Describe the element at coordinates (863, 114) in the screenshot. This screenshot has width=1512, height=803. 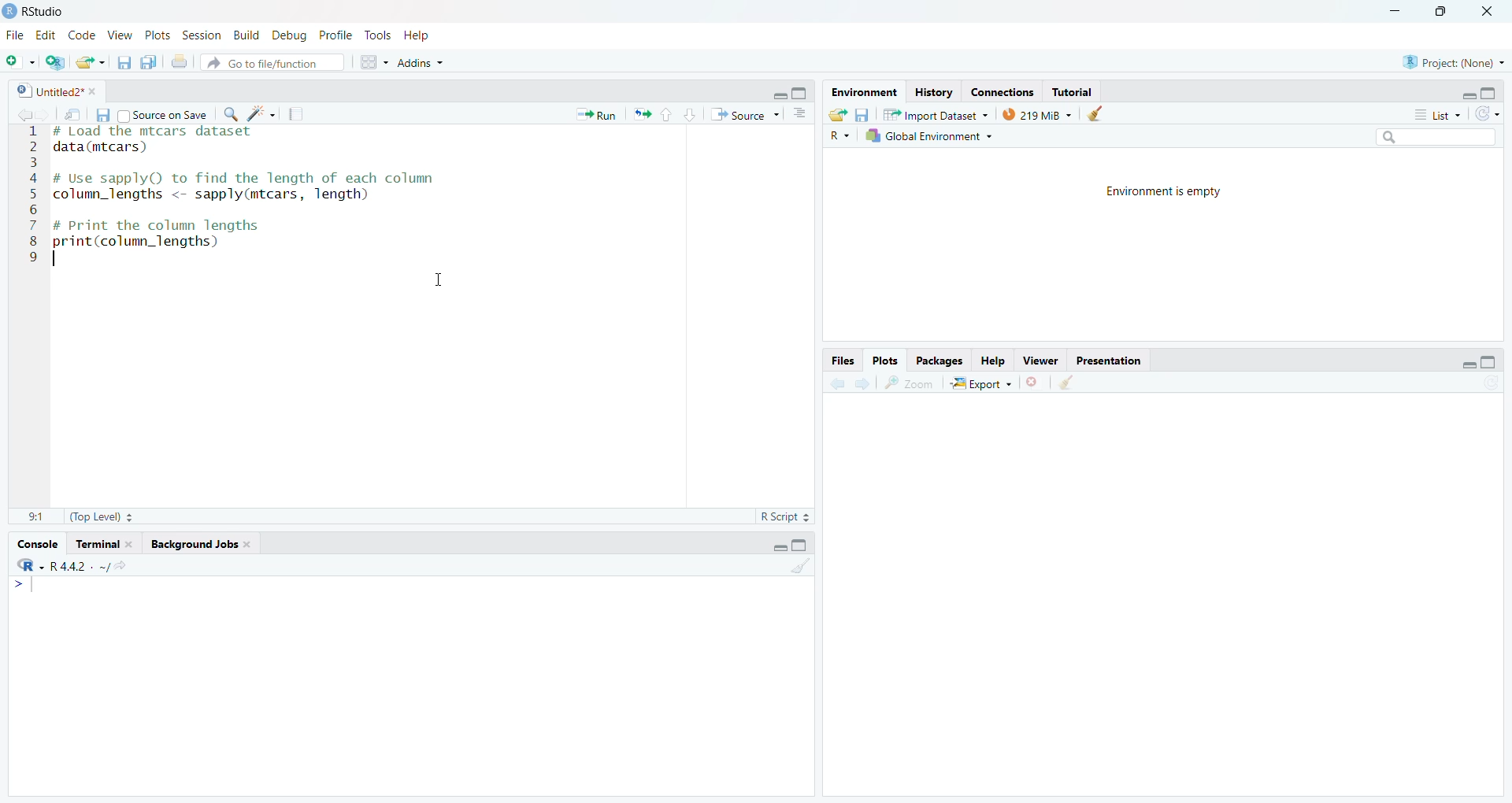
I see `Save` at that location.